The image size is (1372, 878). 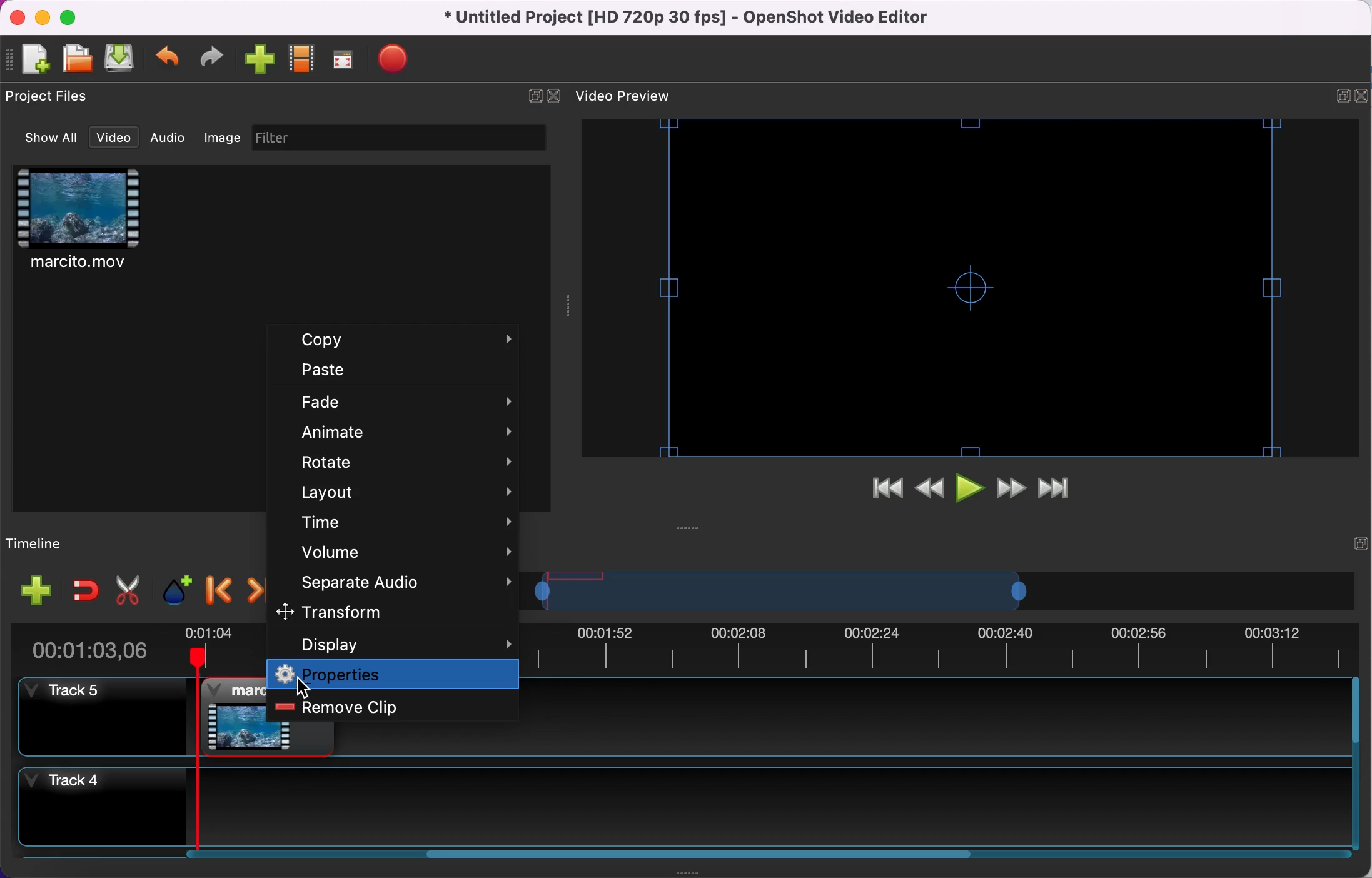 I want to click on clip duration, so click(x=127, y=648).